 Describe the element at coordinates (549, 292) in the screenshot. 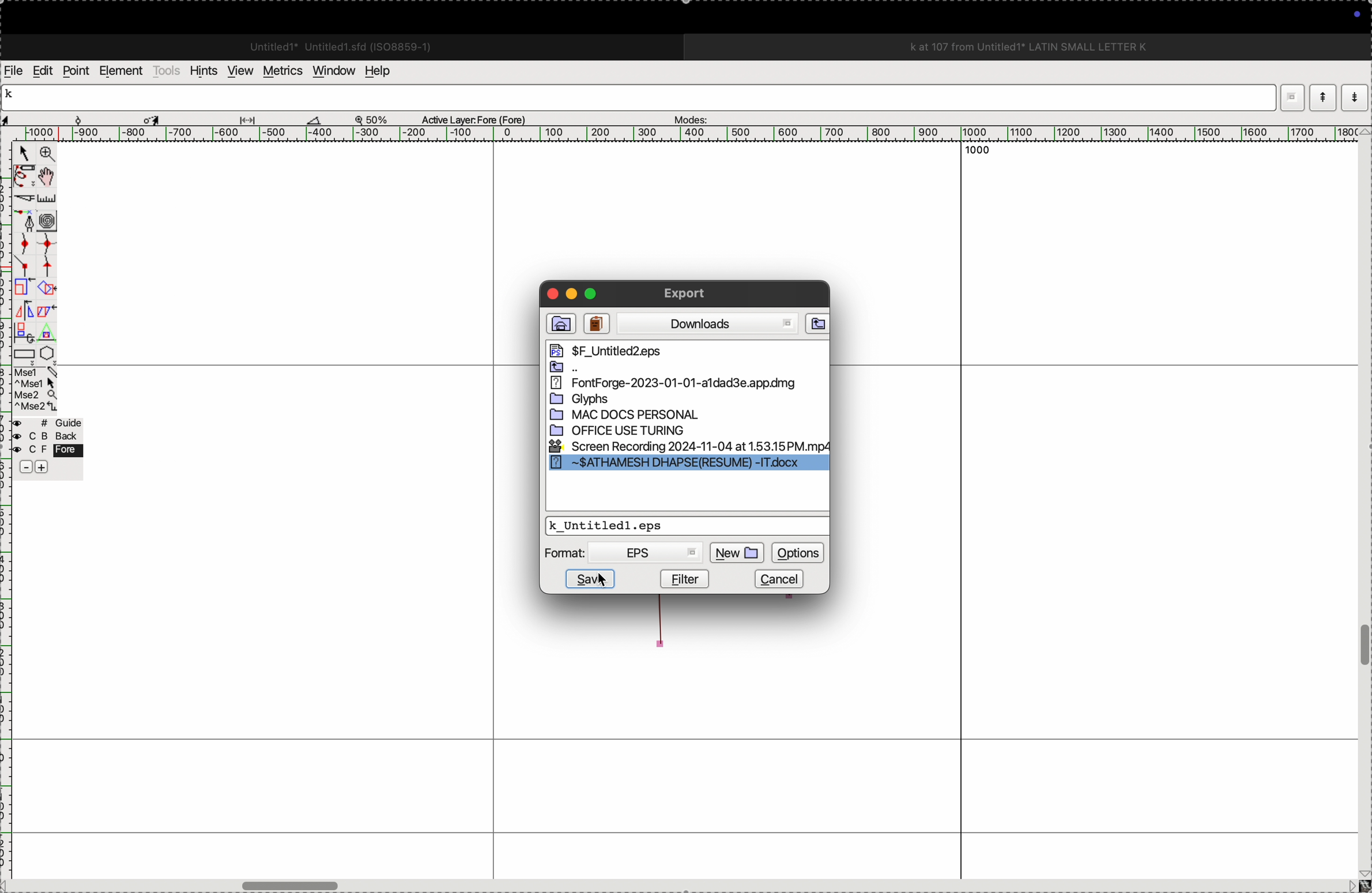

I see `closing window` at that location.